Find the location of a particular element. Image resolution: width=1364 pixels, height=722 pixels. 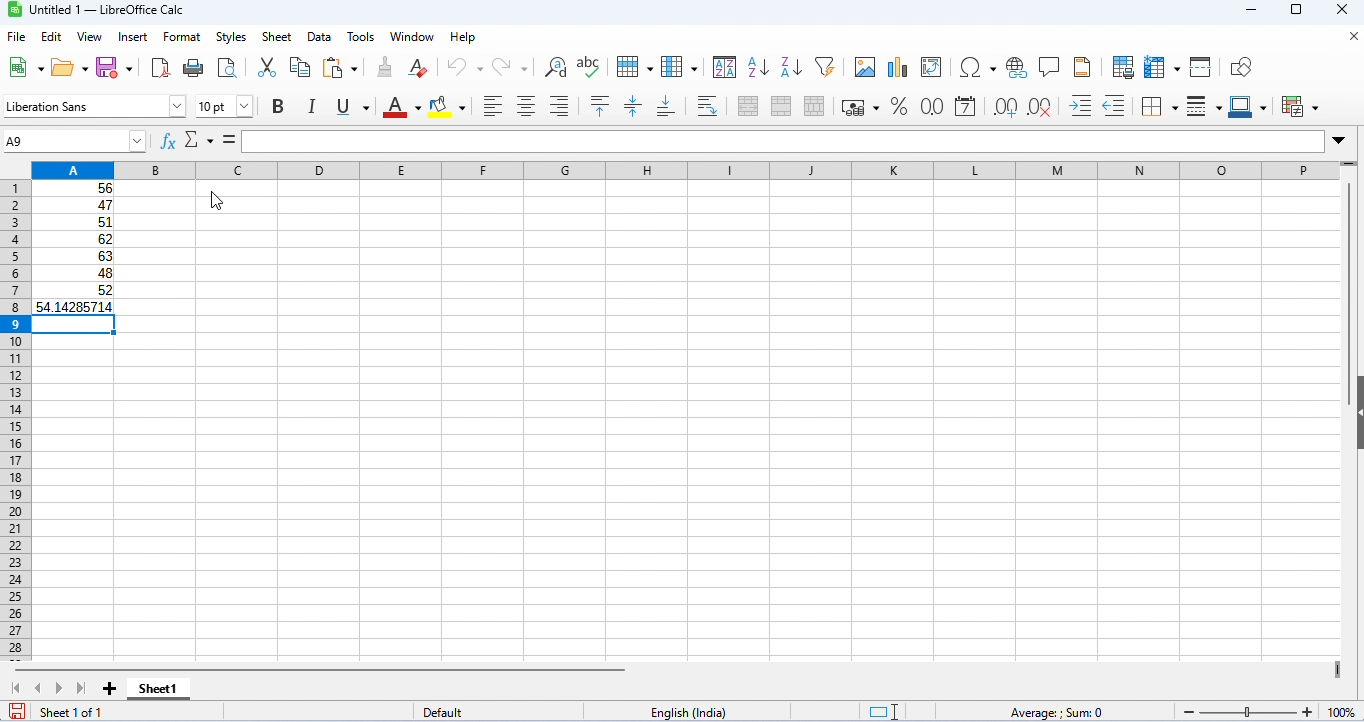

align right is located at coordinates (559, 106).